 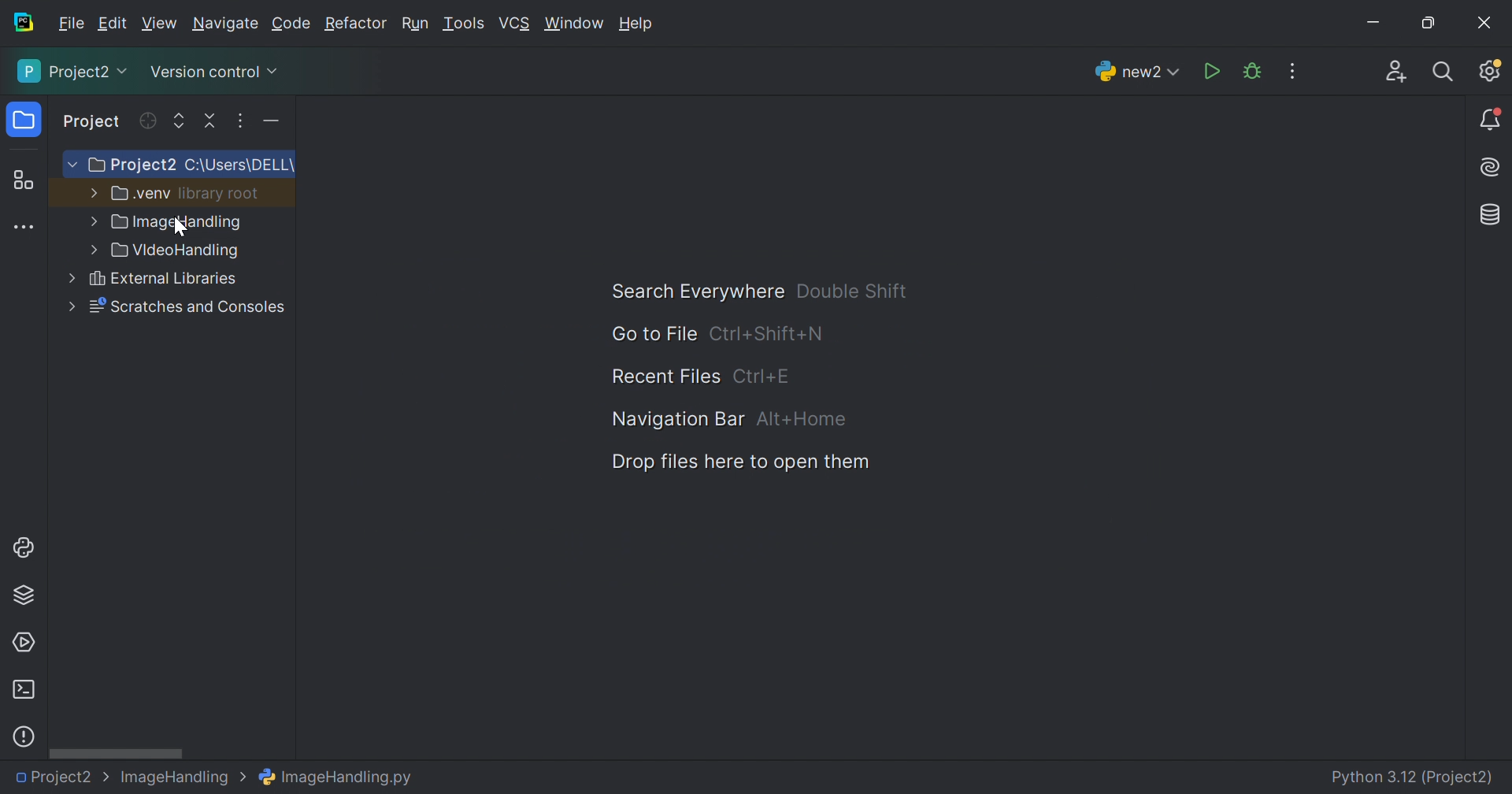 What do you see at coordinates (23, 643) in the screenshot?
I see `Services` at bounding box center [23, 643].